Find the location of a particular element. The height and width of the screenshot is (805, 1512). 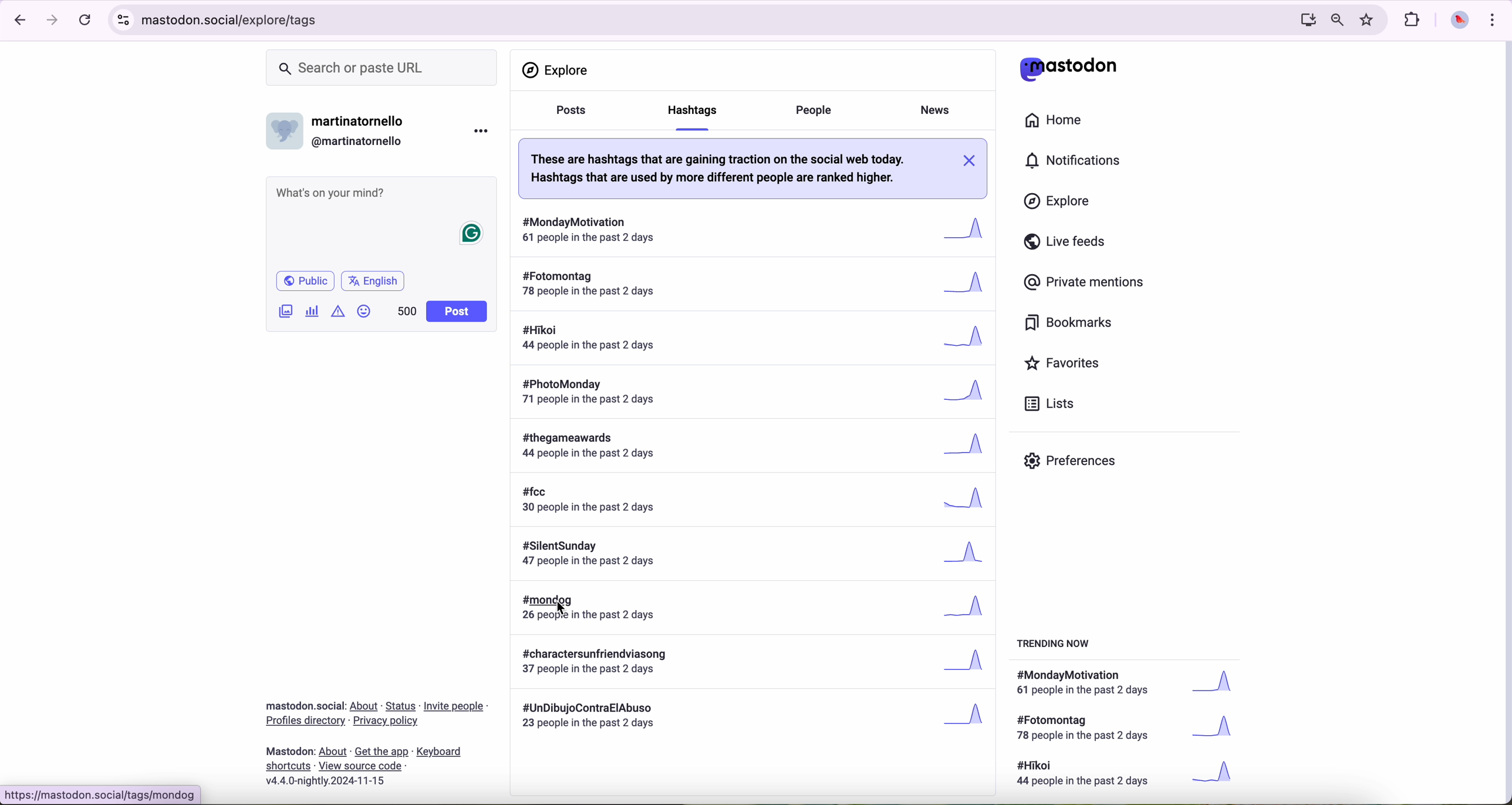

link is located at coordinates (365, 706).